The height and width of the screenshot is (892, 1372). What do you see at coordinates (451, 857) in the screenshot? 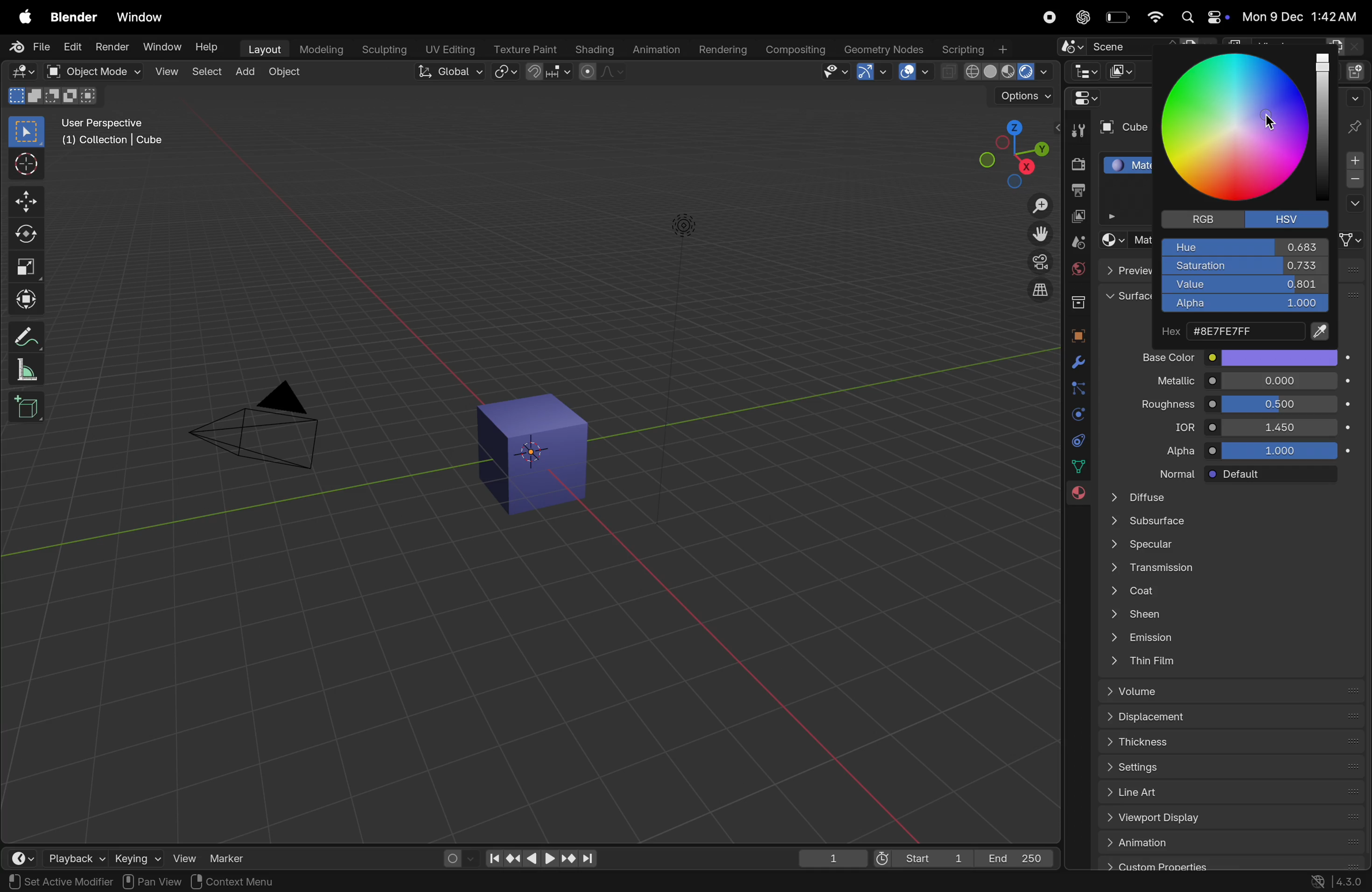
I see `auuto keying` at bounding box center [451, 857].